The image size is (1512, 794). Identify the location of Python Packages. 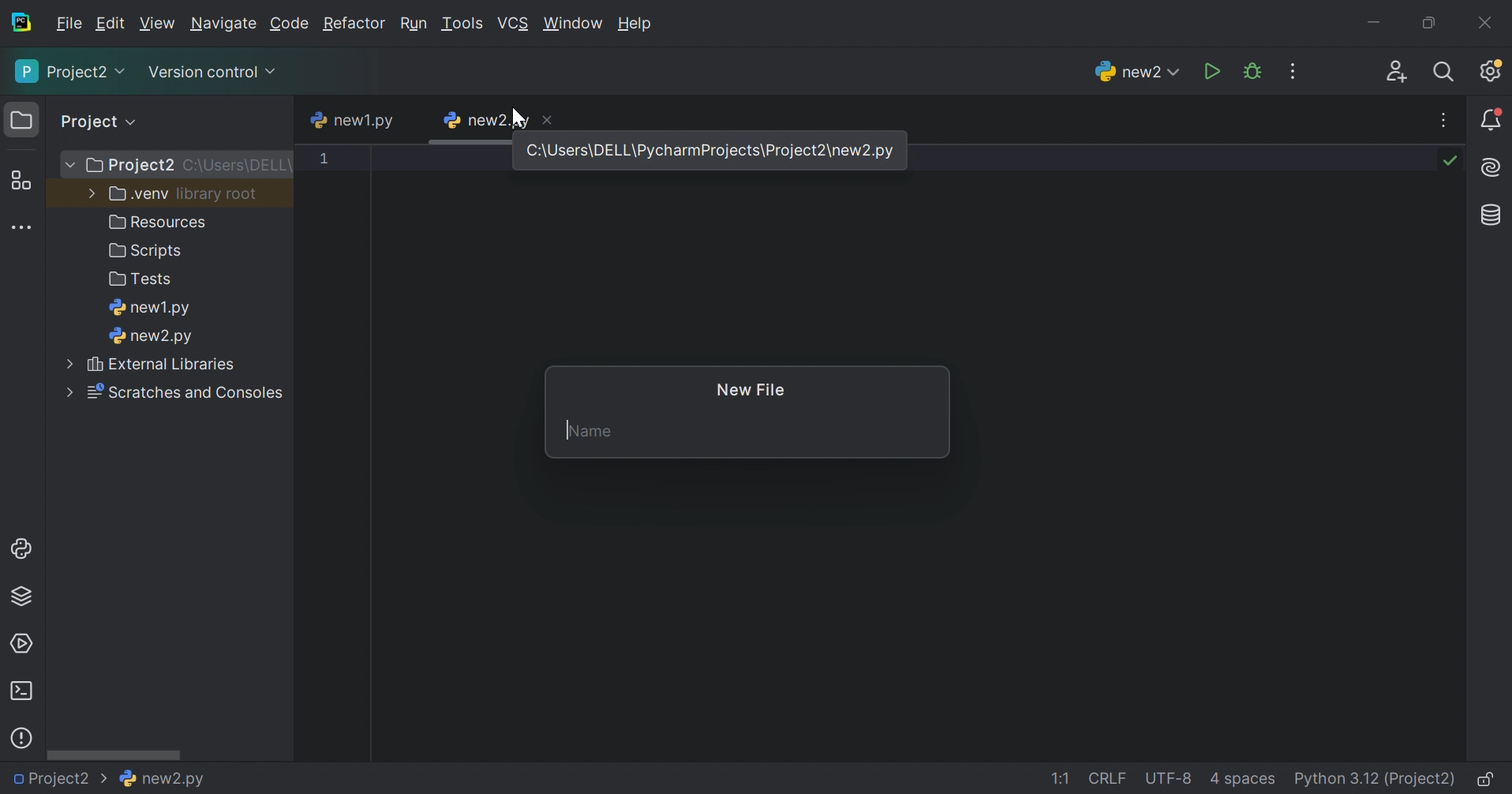
(28, 599).